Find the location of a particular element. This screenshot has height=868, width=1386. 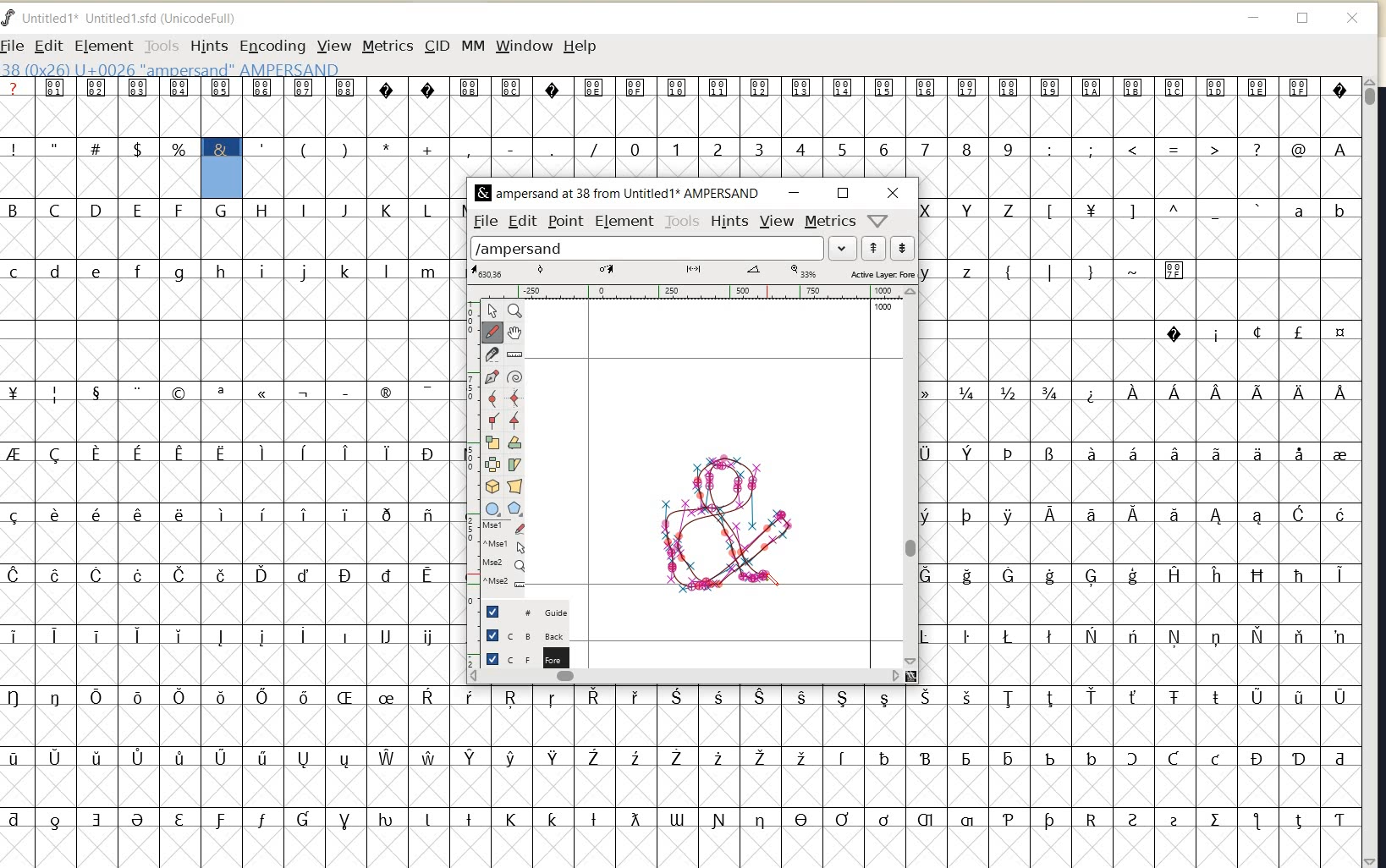

show previous word list is located at coordinates (875, 248).